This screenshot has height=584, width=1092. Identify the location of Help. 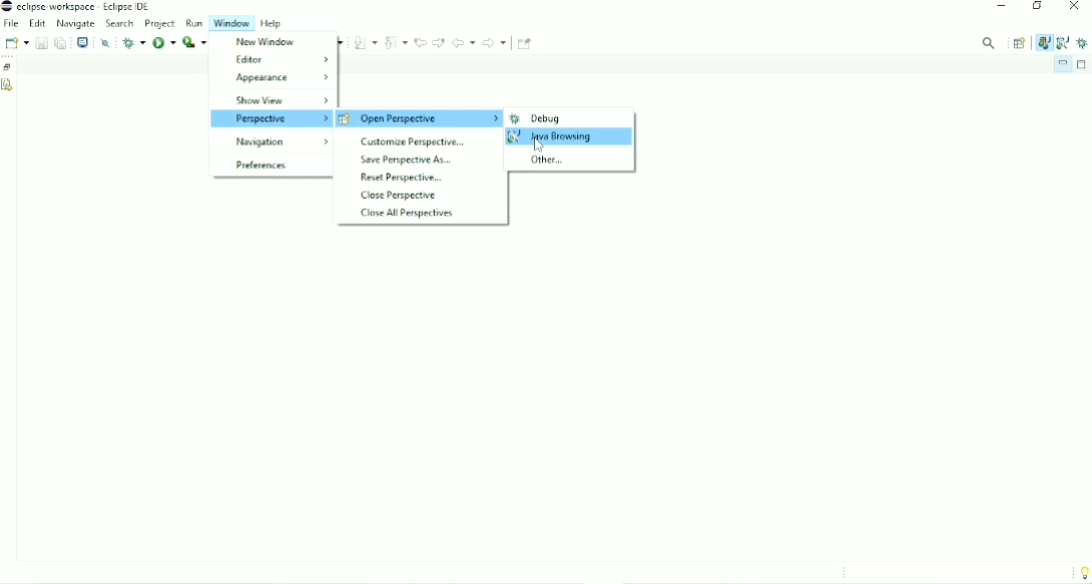
(275, 23).